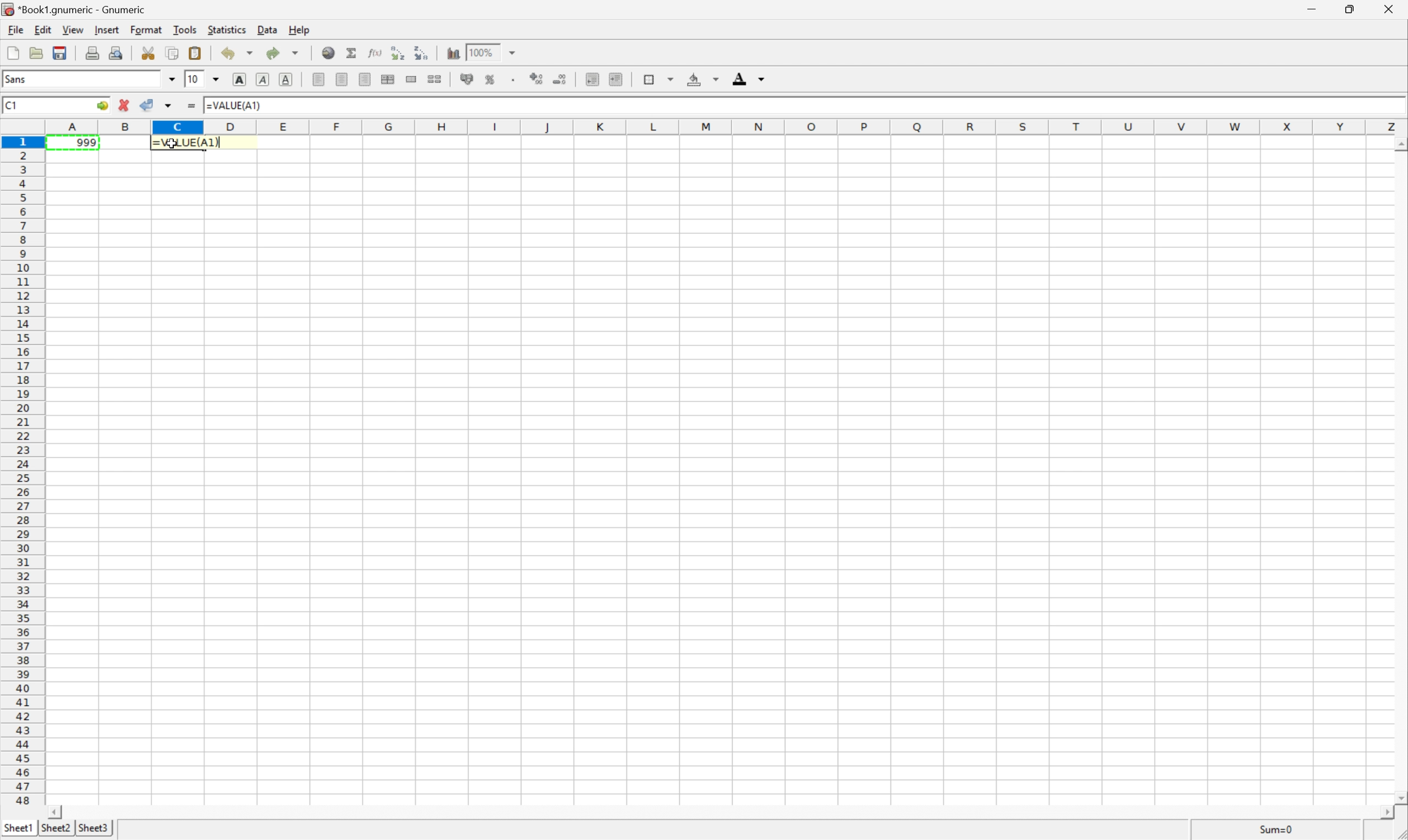  Describe the element at coordinates (341, 79) in the screenshot. I see `Center horizontally` at that location.